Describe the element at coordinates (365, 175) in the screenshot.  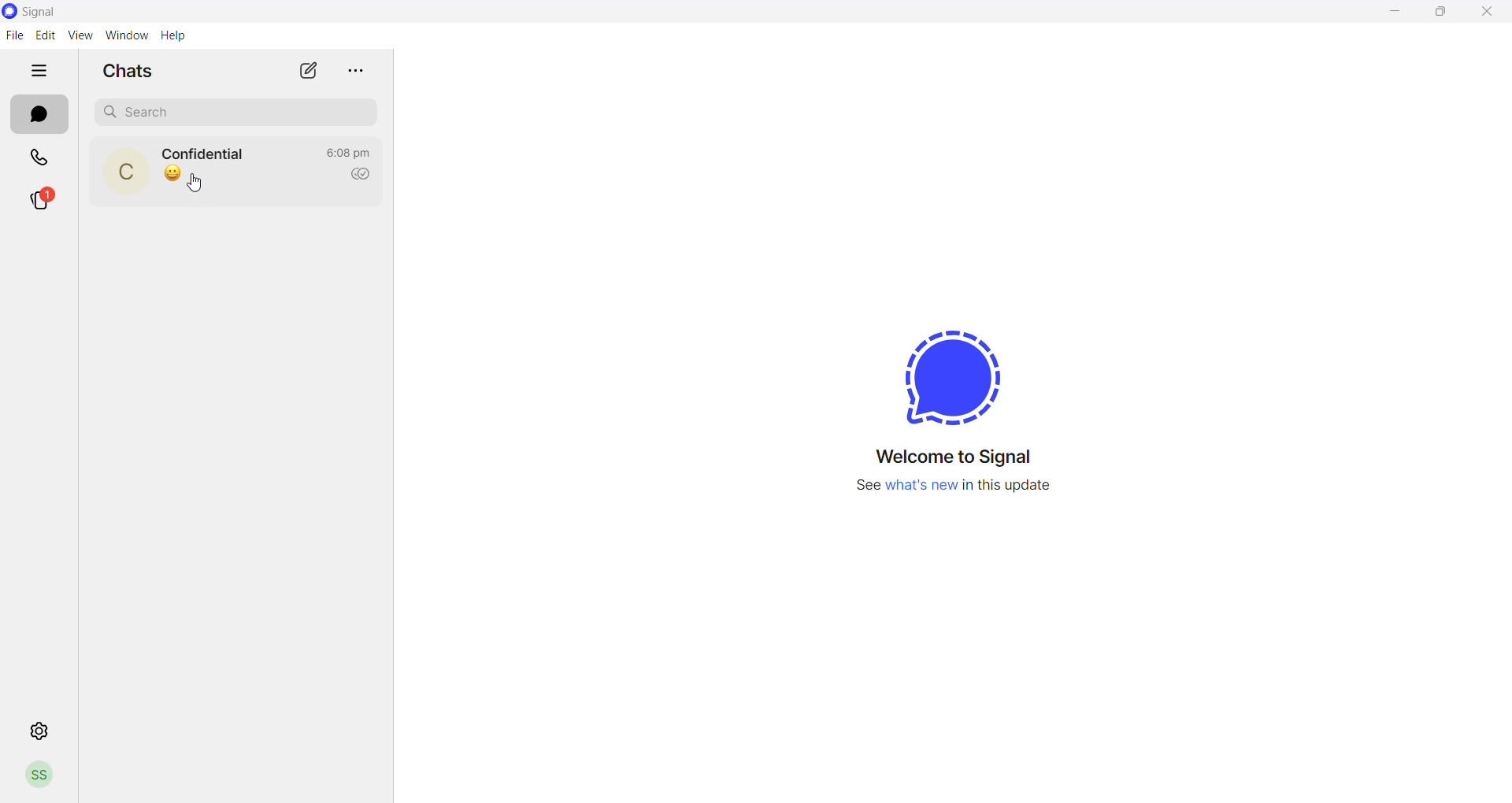
I see `read recipient` at that location.